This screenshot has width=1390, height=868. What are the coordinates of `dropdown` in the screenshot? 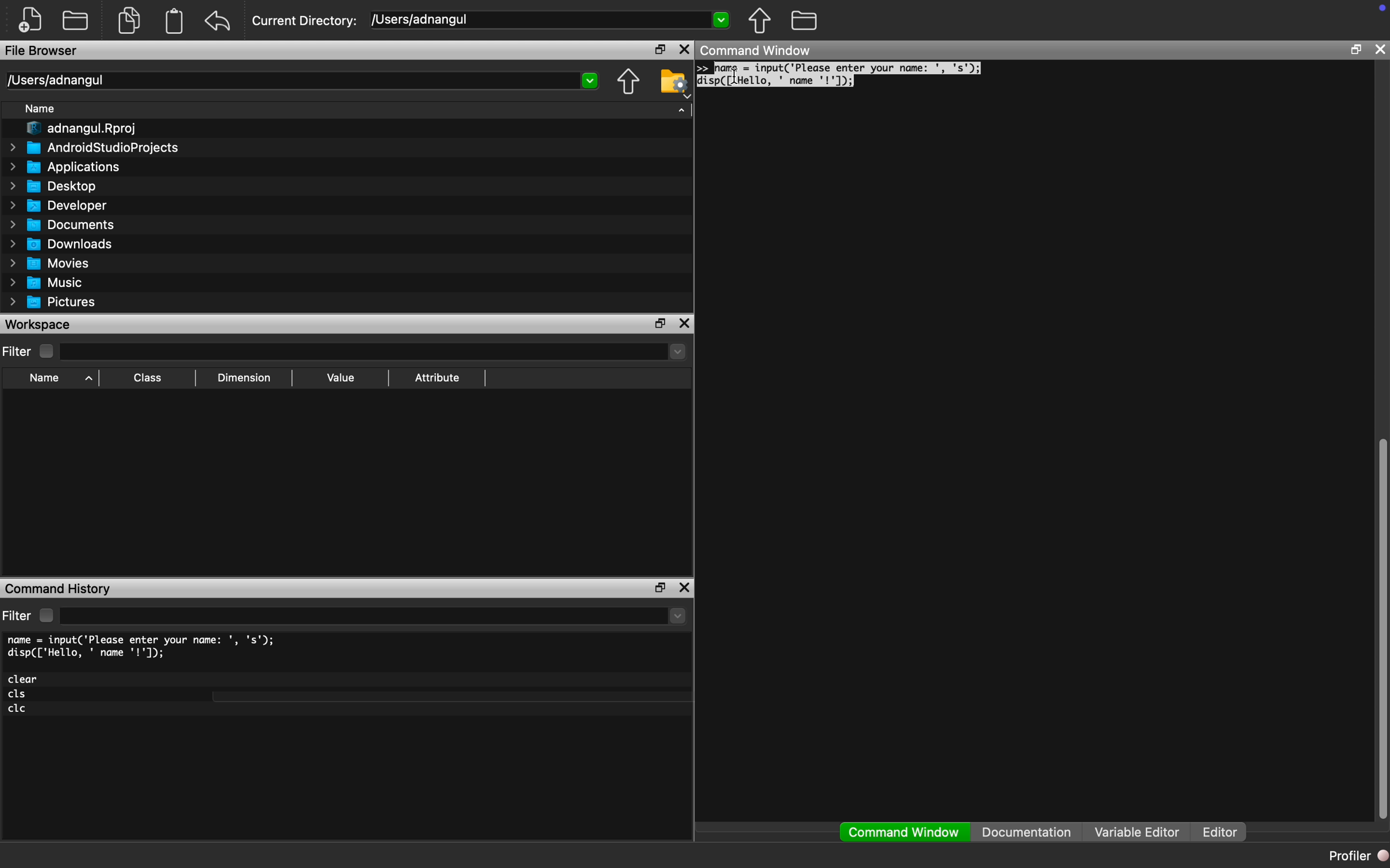 It's located at (591, 81).